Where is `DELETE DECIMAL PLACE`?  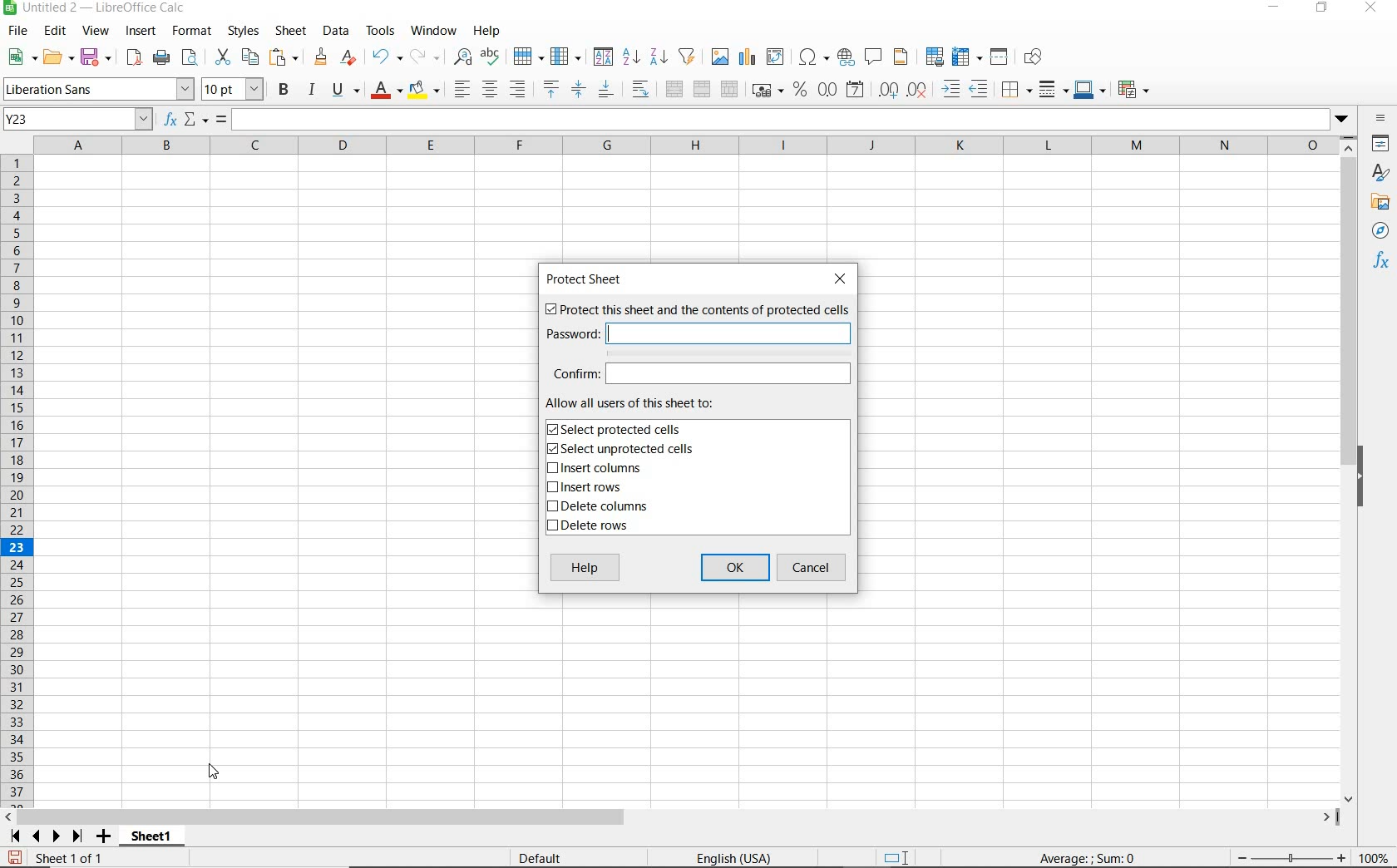
DELETE DECIMAL PLACE is located at coordinates (917, 90).